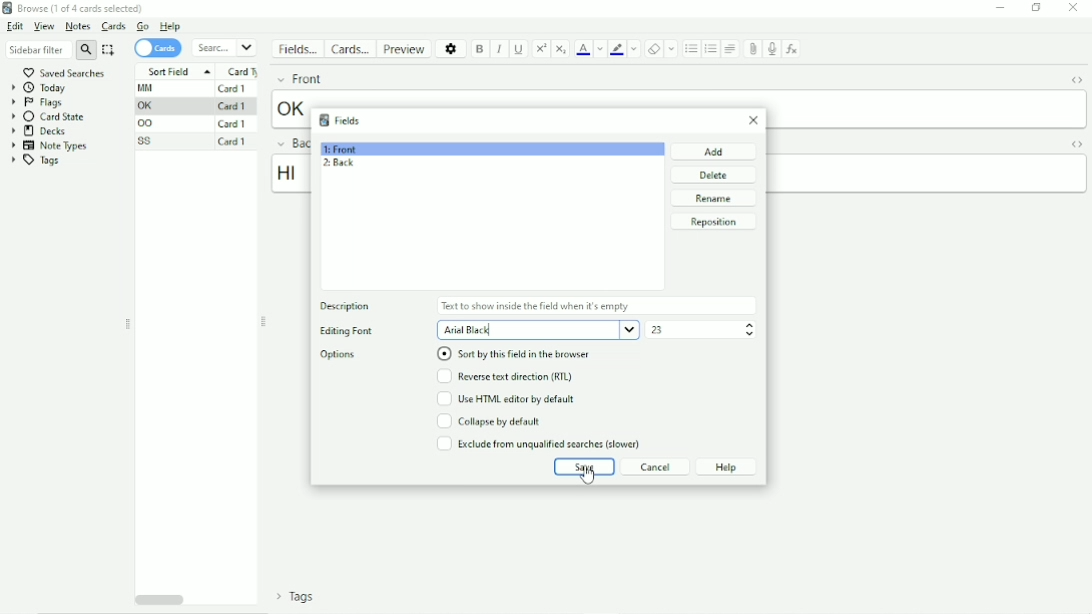 The image size is (1092, 614). Describe the element at coordinates (1037, 8) in the screenshot. I see `Restore down` at that location.